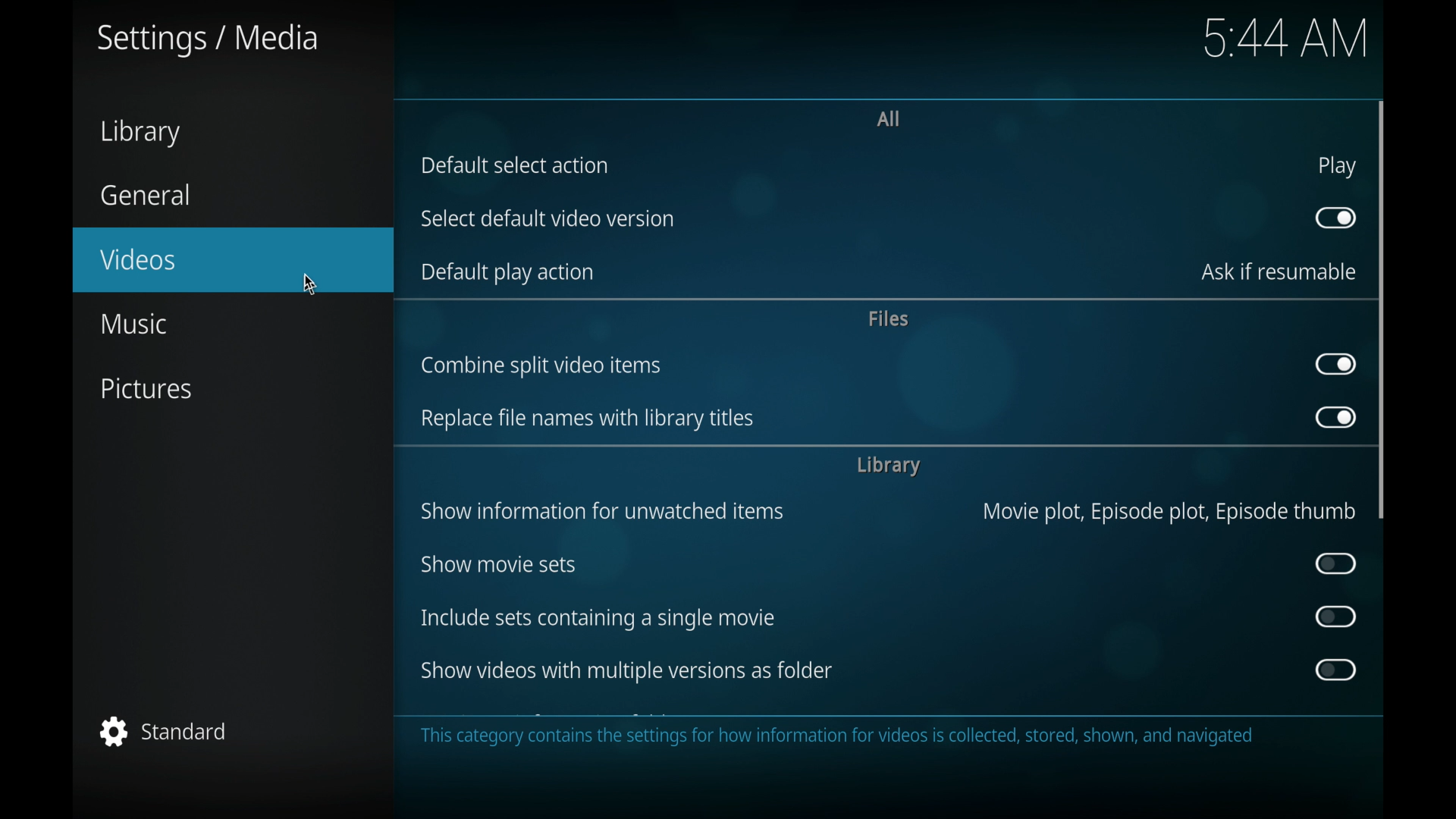 The height and width of the screenshot is (819, 1456). I want to click on settings, so click(205, 40).